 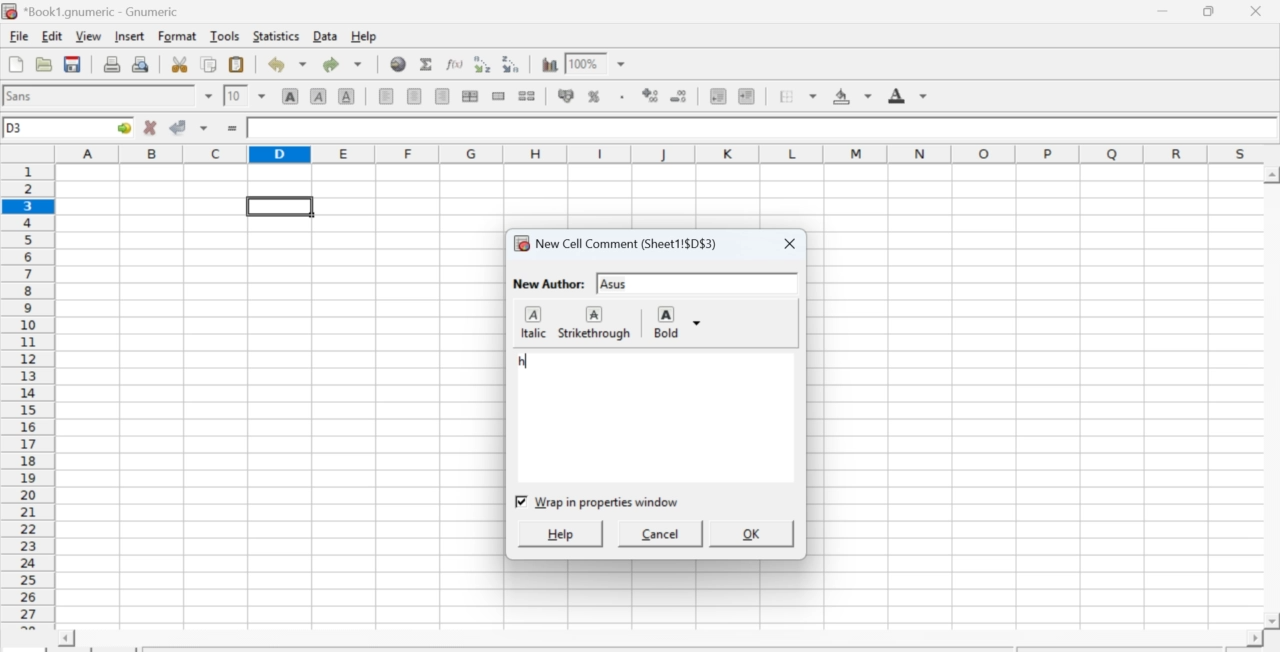 What do you see at coordinates (398, 65) in the screenshot?
I see `Hyperlink` at bounding box center [398, 65].